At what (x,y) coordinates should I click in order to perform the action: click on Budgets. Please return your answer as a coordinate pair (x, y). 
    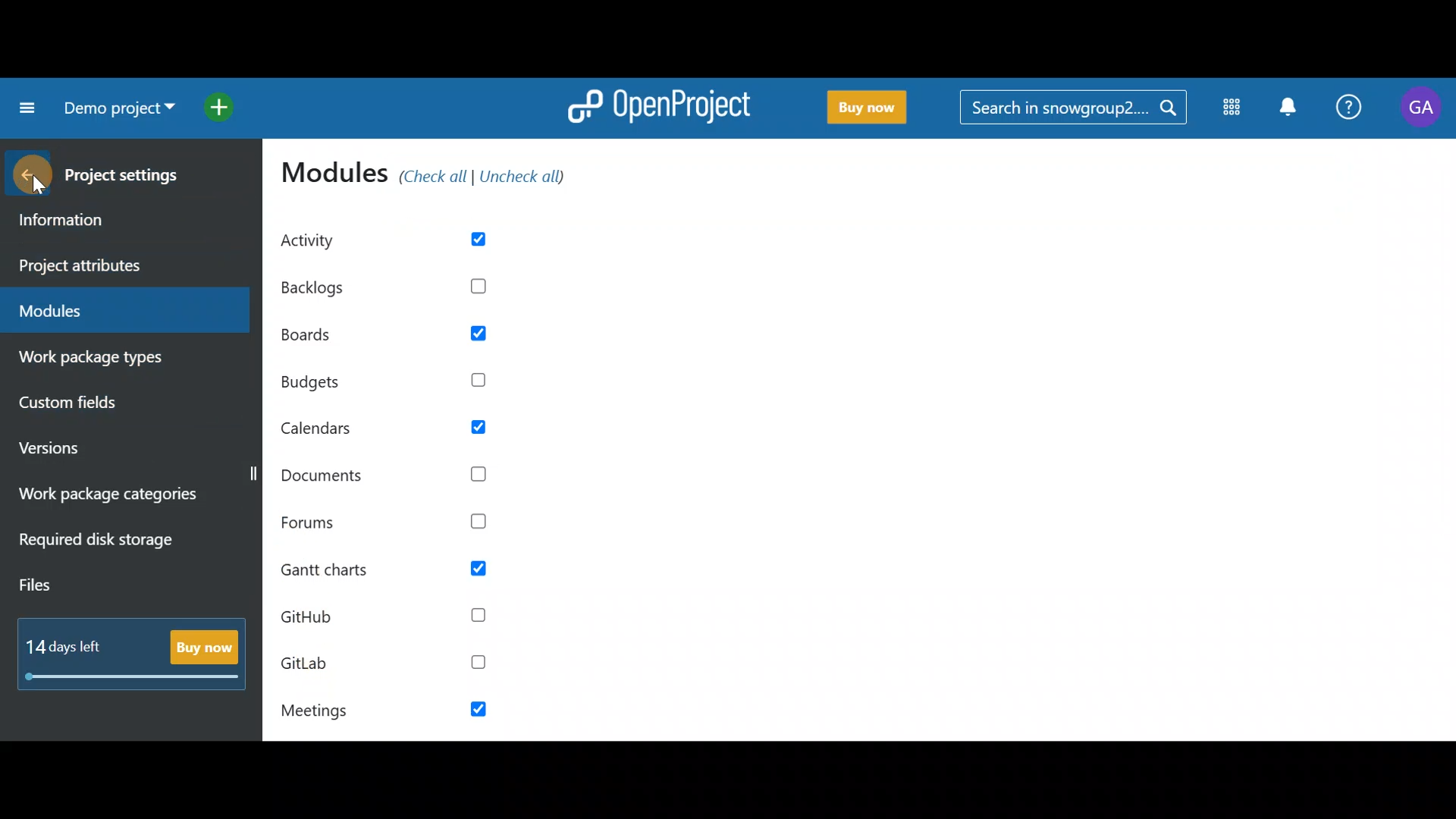
    Looking at the image, I should click on (390, 384).